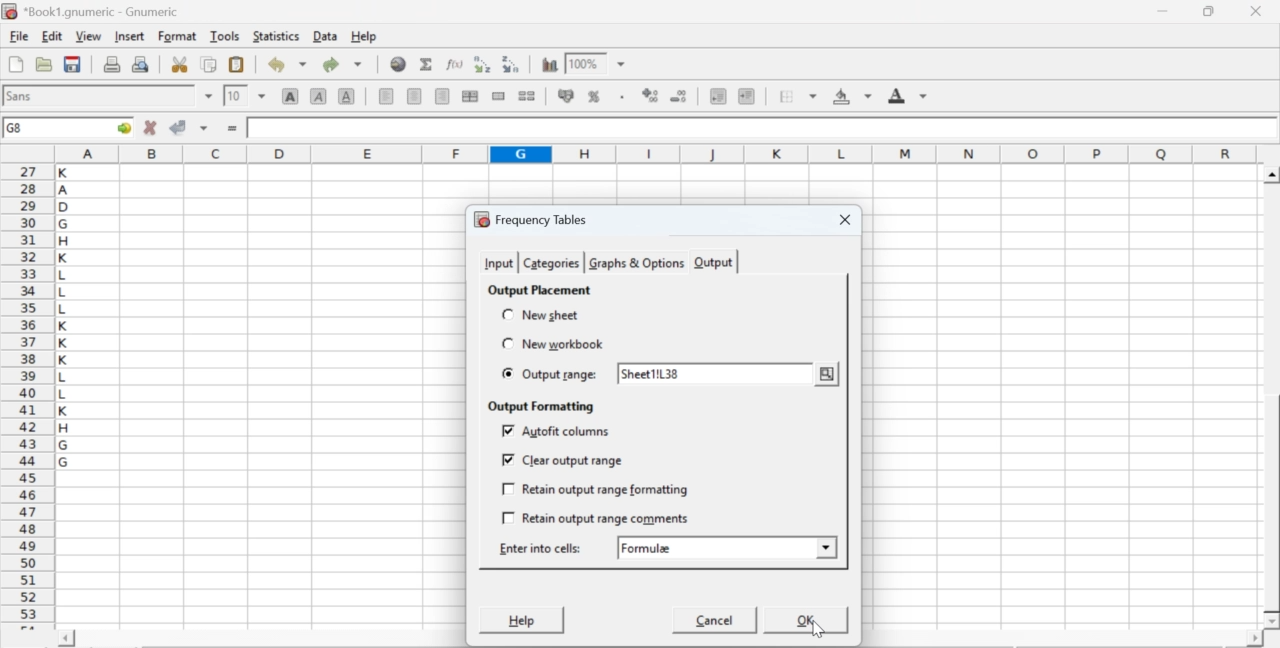  What do you see at coordinates (648, 548) in the screenshot?
I see `formulae` at bounding box center [648, 548].